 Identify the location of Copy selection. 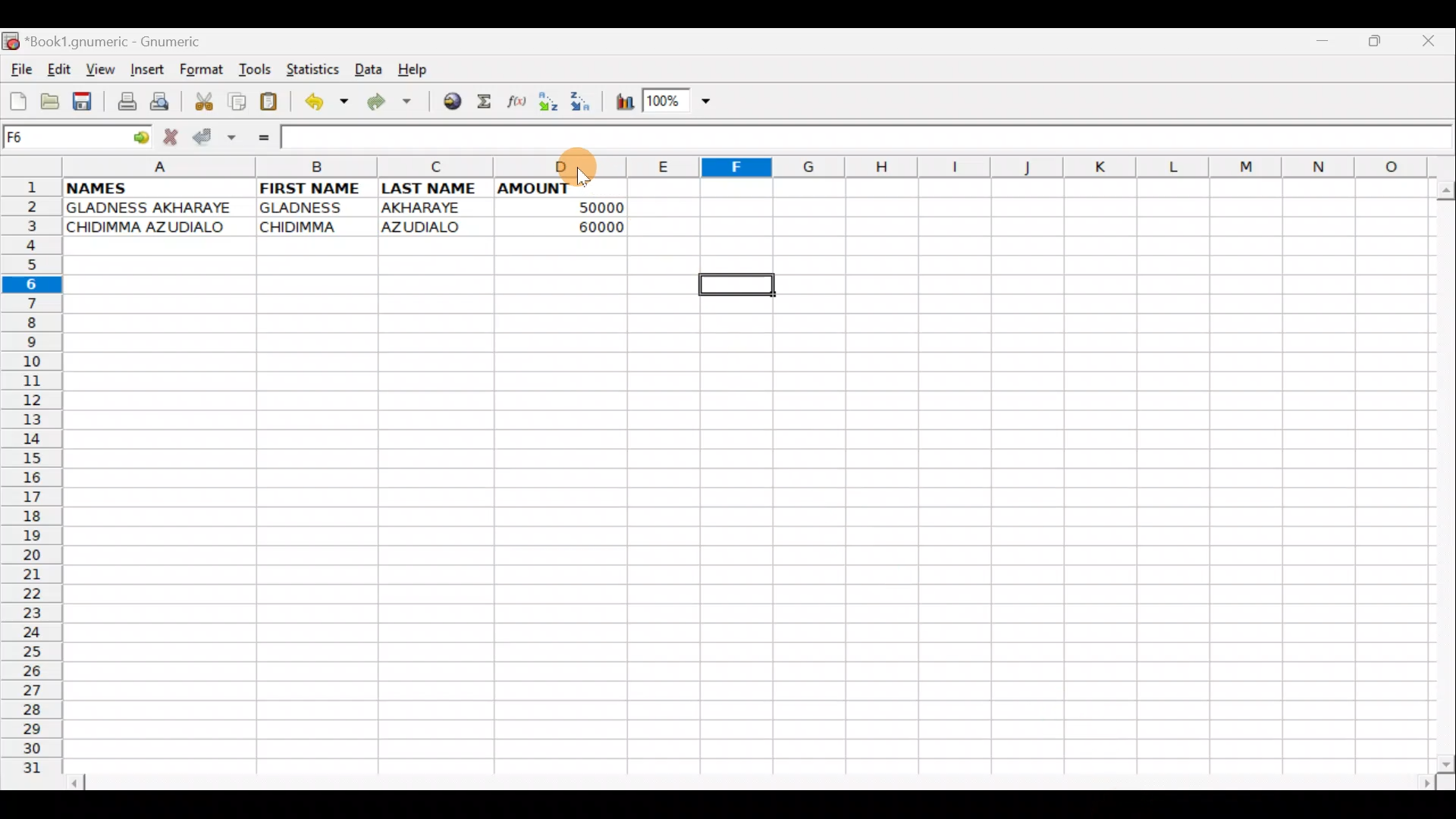
(234, 101).